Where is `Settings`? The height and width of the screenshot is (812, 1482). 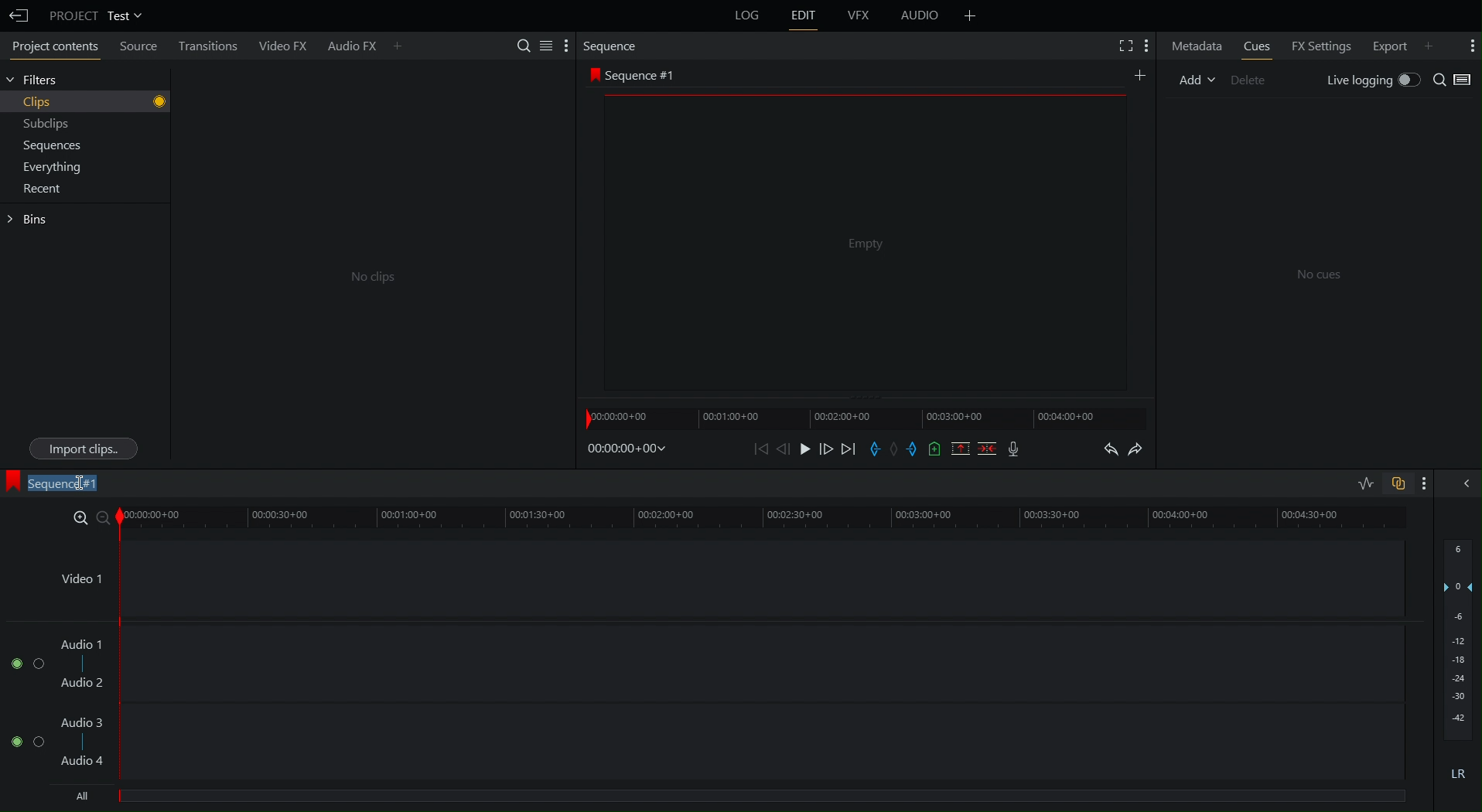 Settings is located at coordinates (1146, 43).